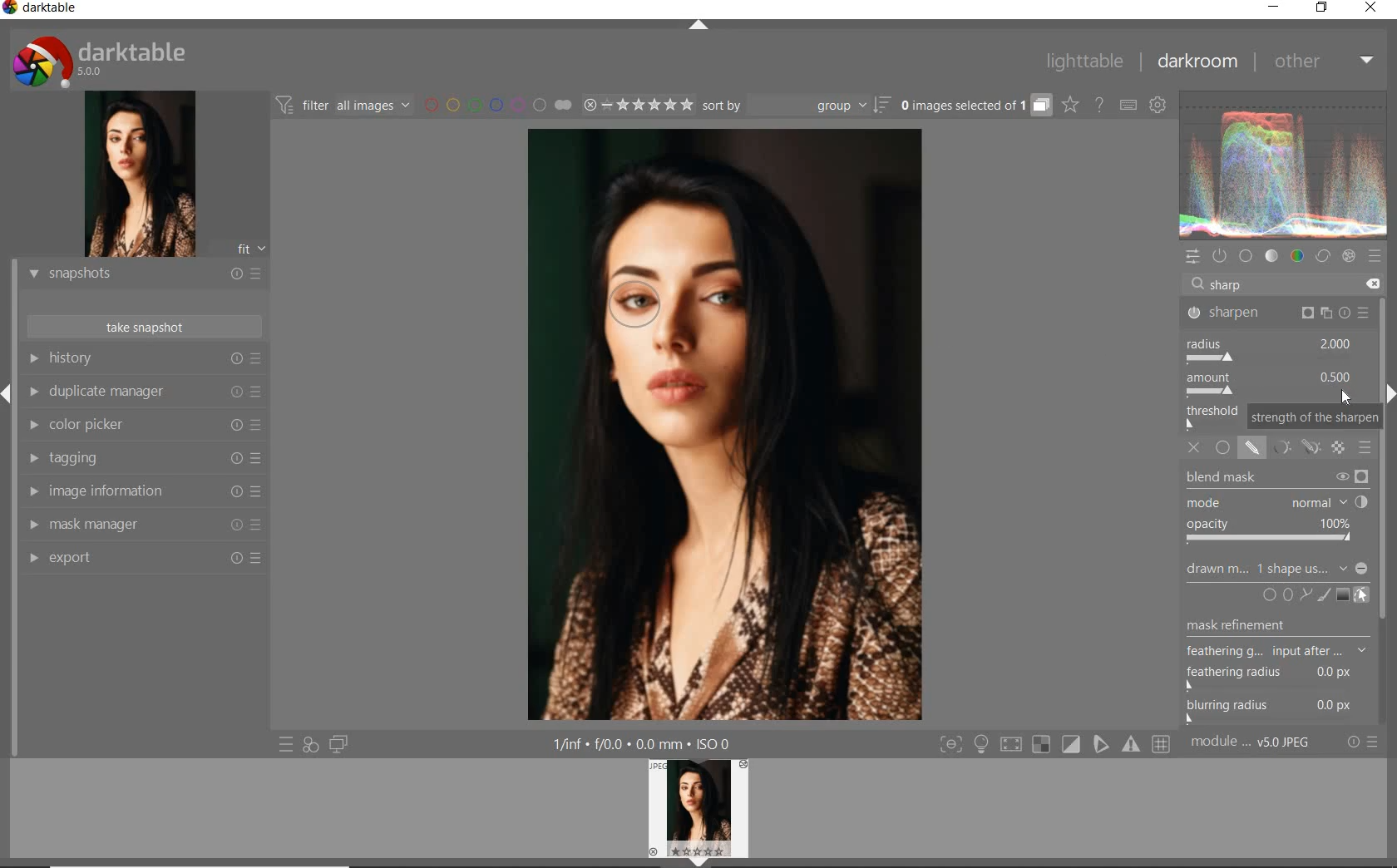  I want to click on other, so click(1320, 62).